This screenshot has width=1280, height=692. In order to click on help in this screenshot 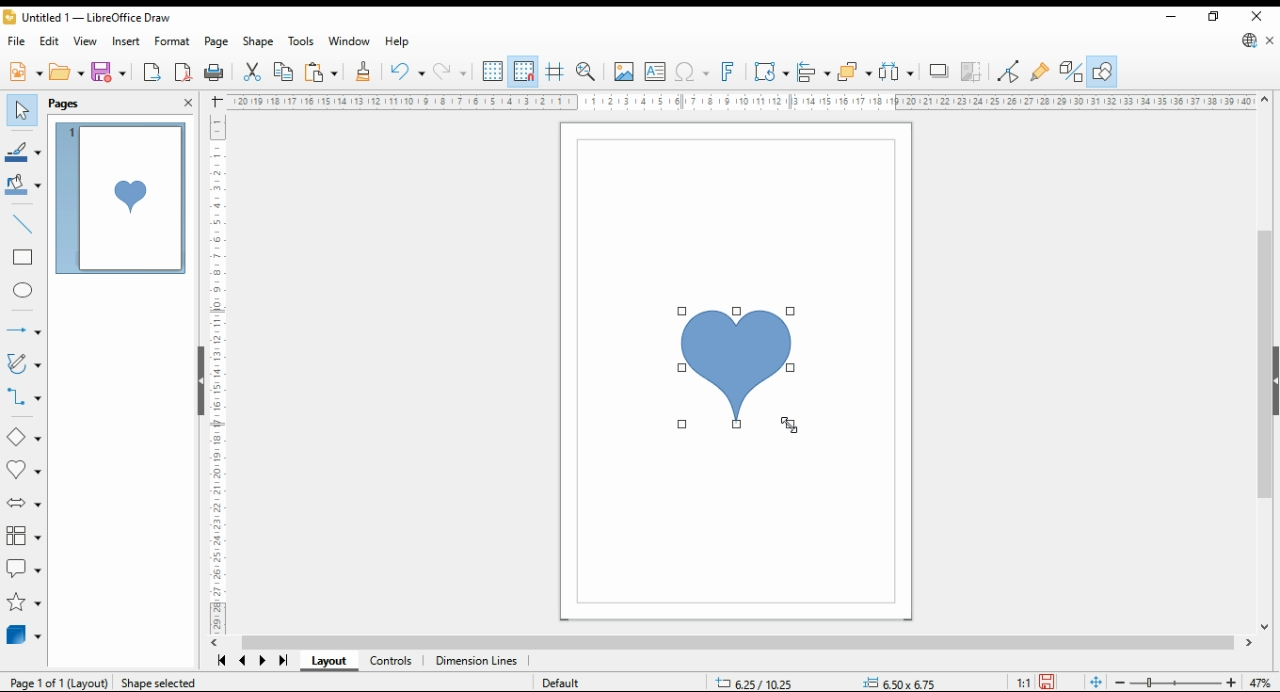, I will do `click(398, 42)`.